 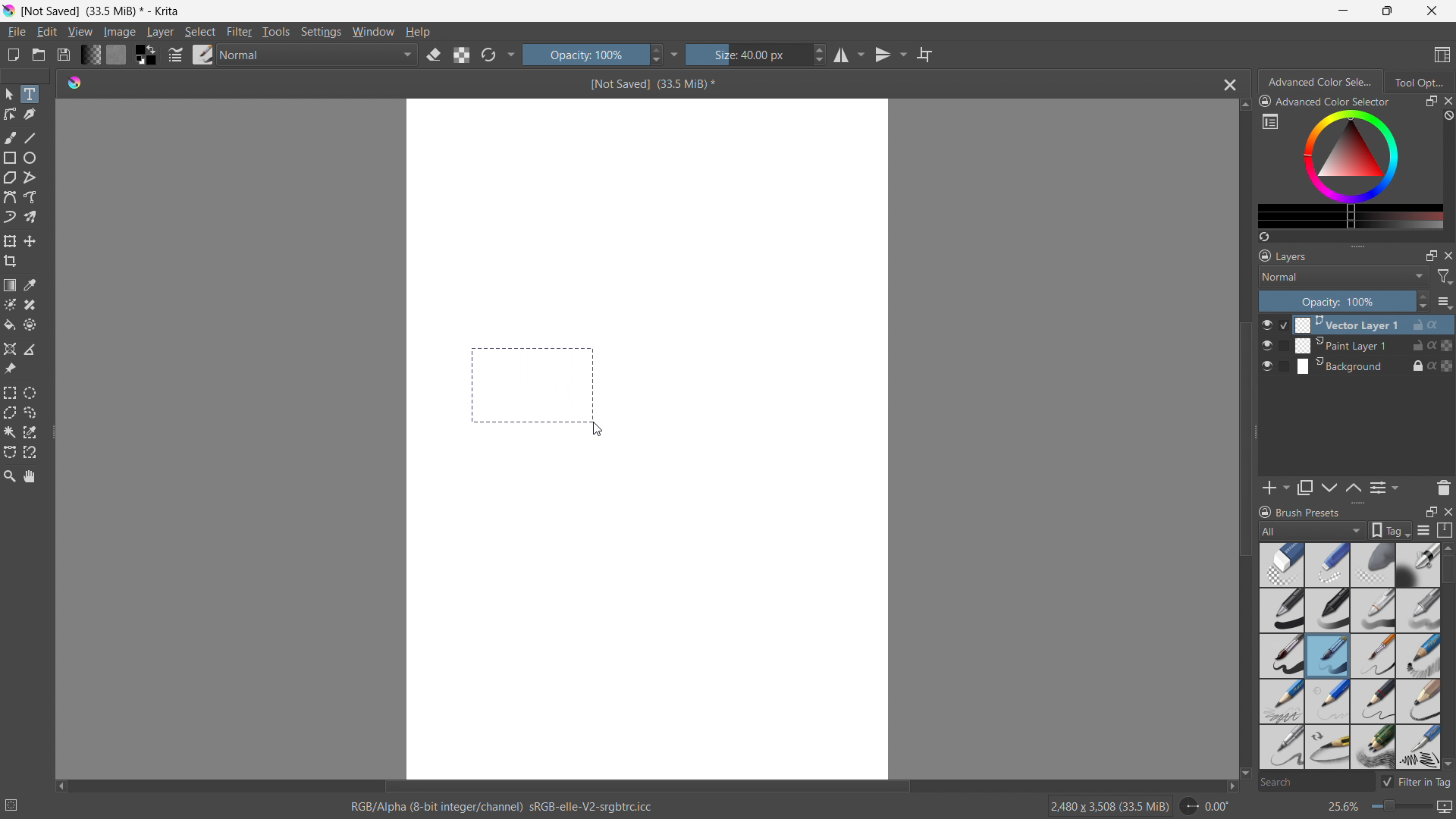 I want to click on opacity control, so click(x=592, y=54).